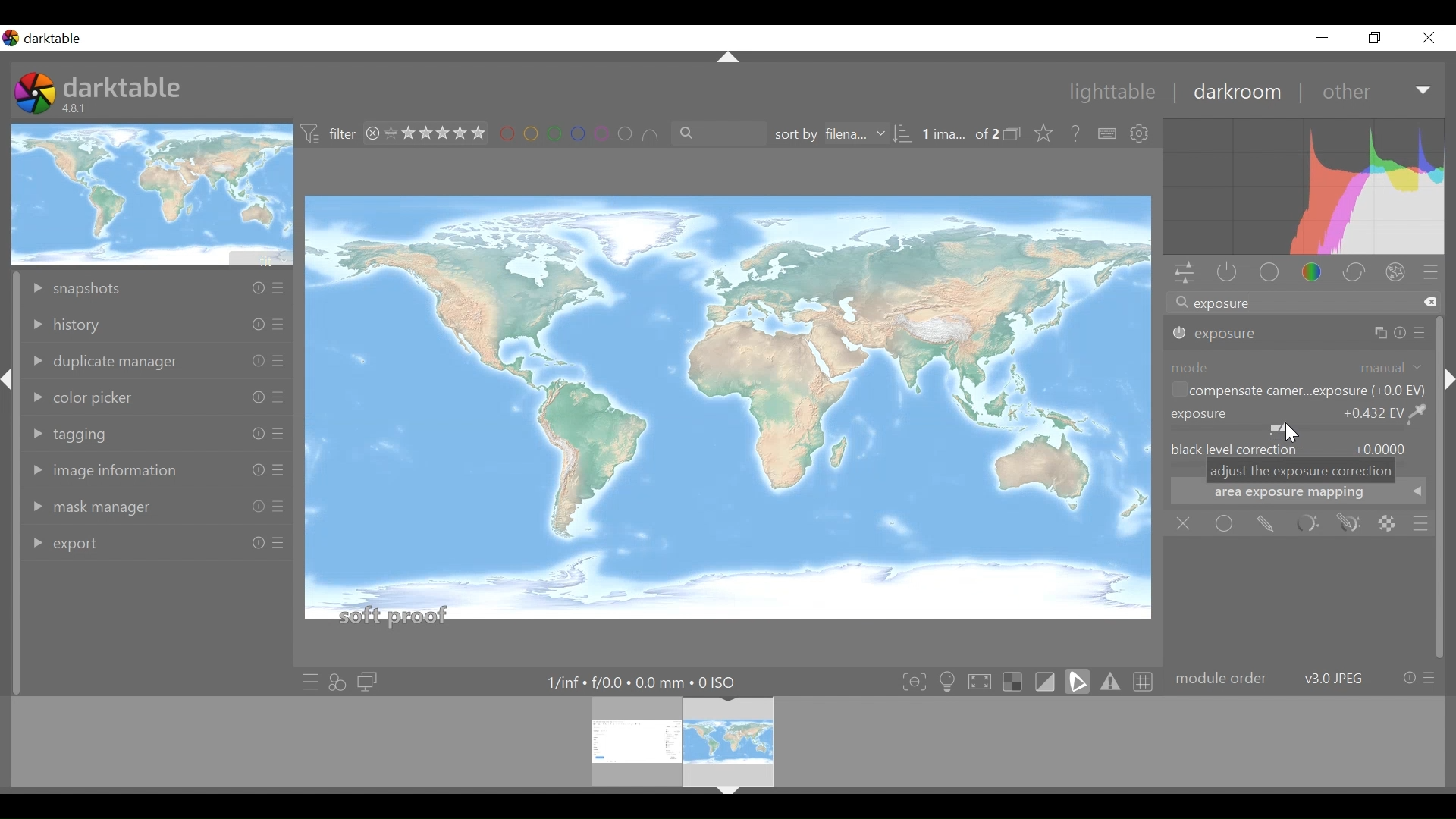 Image resolution: width=1456 pixels, height=819 pixels. I want to click on exposure correction, so click(1217, 334).